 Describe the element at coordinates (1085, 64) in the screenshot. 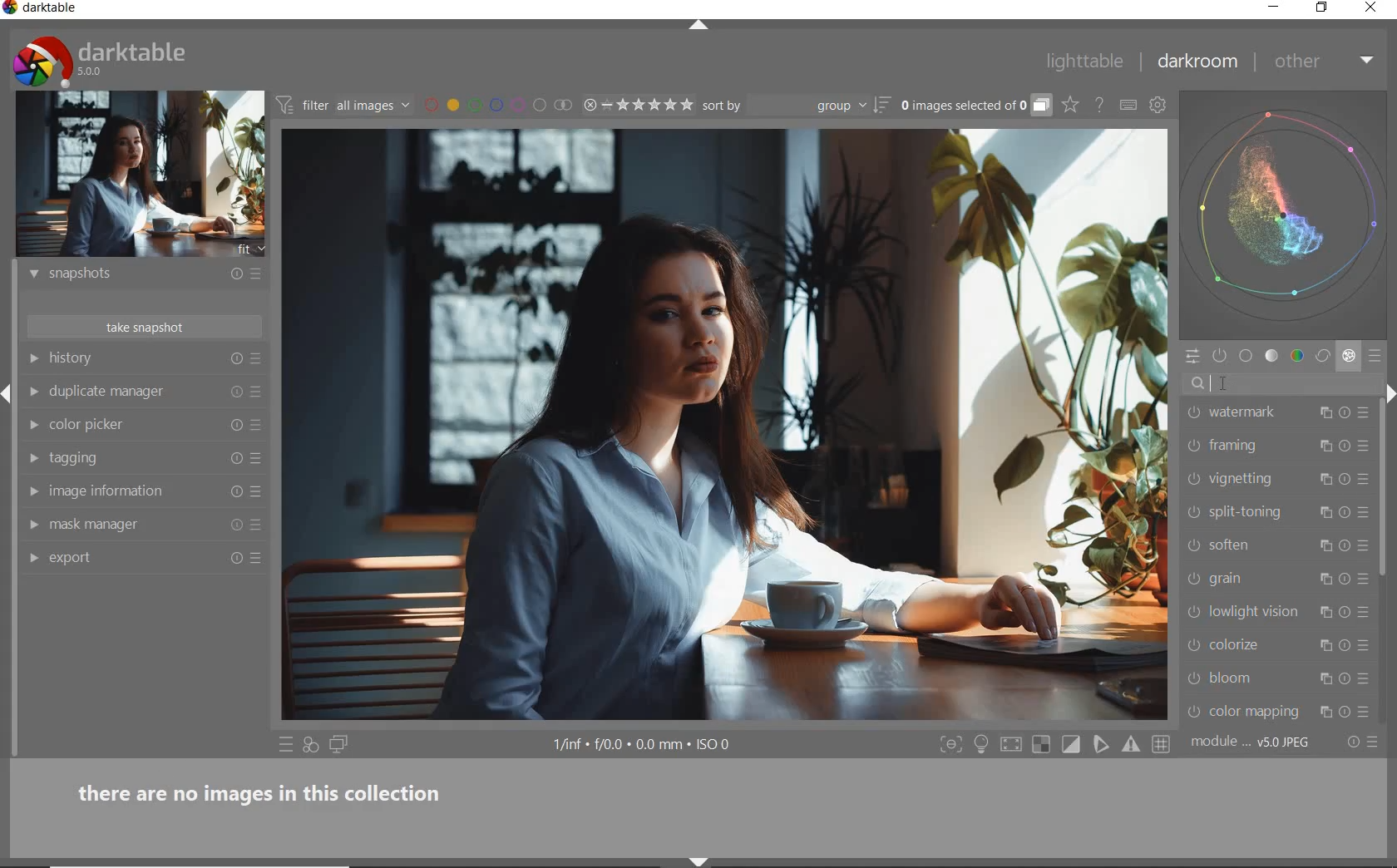

I see `lighttable` at that location.